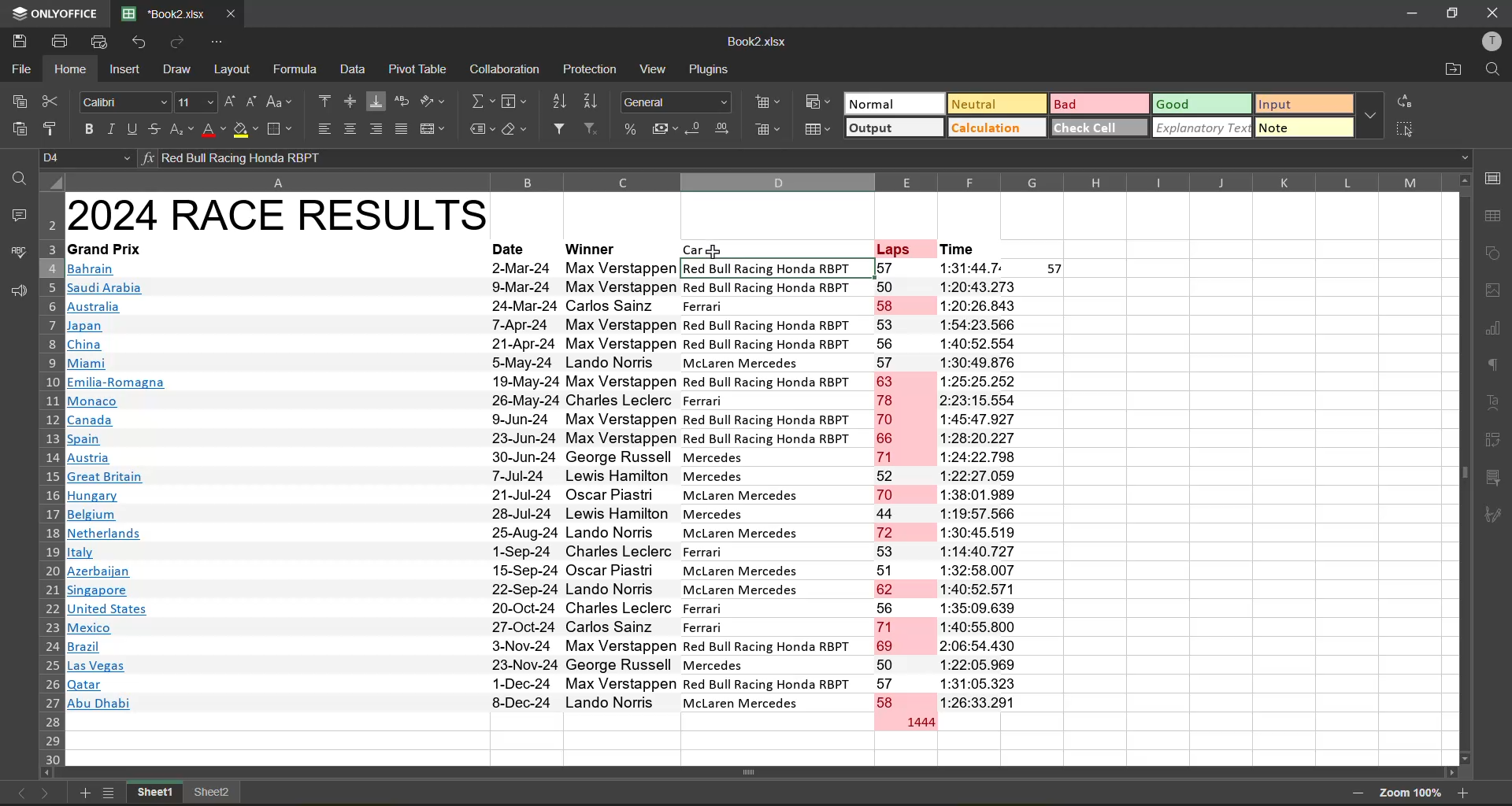  Describe the element at coordinates (770, 134) in the screenshot. I see `remove cells` at that location.